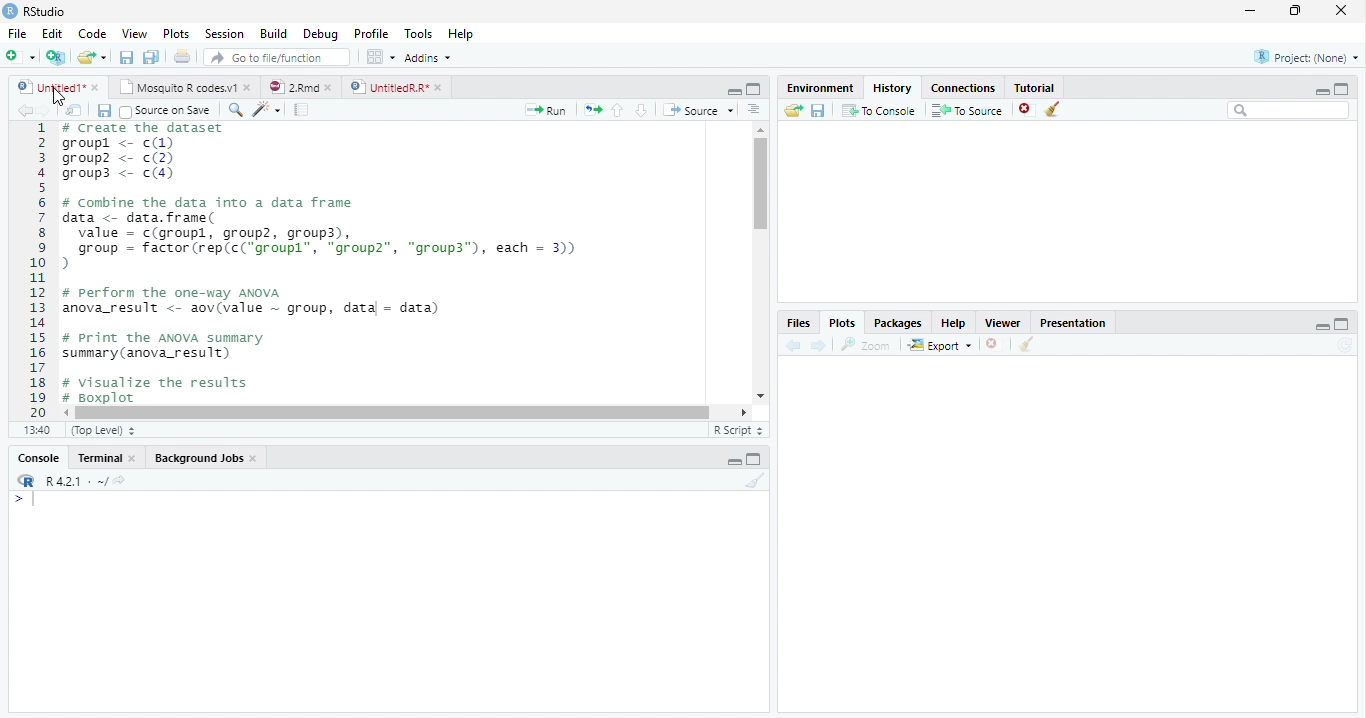 Image resolution: width=1366 pixels, height=718 pixels. I want to click on Rstudio, so click(33, 9).